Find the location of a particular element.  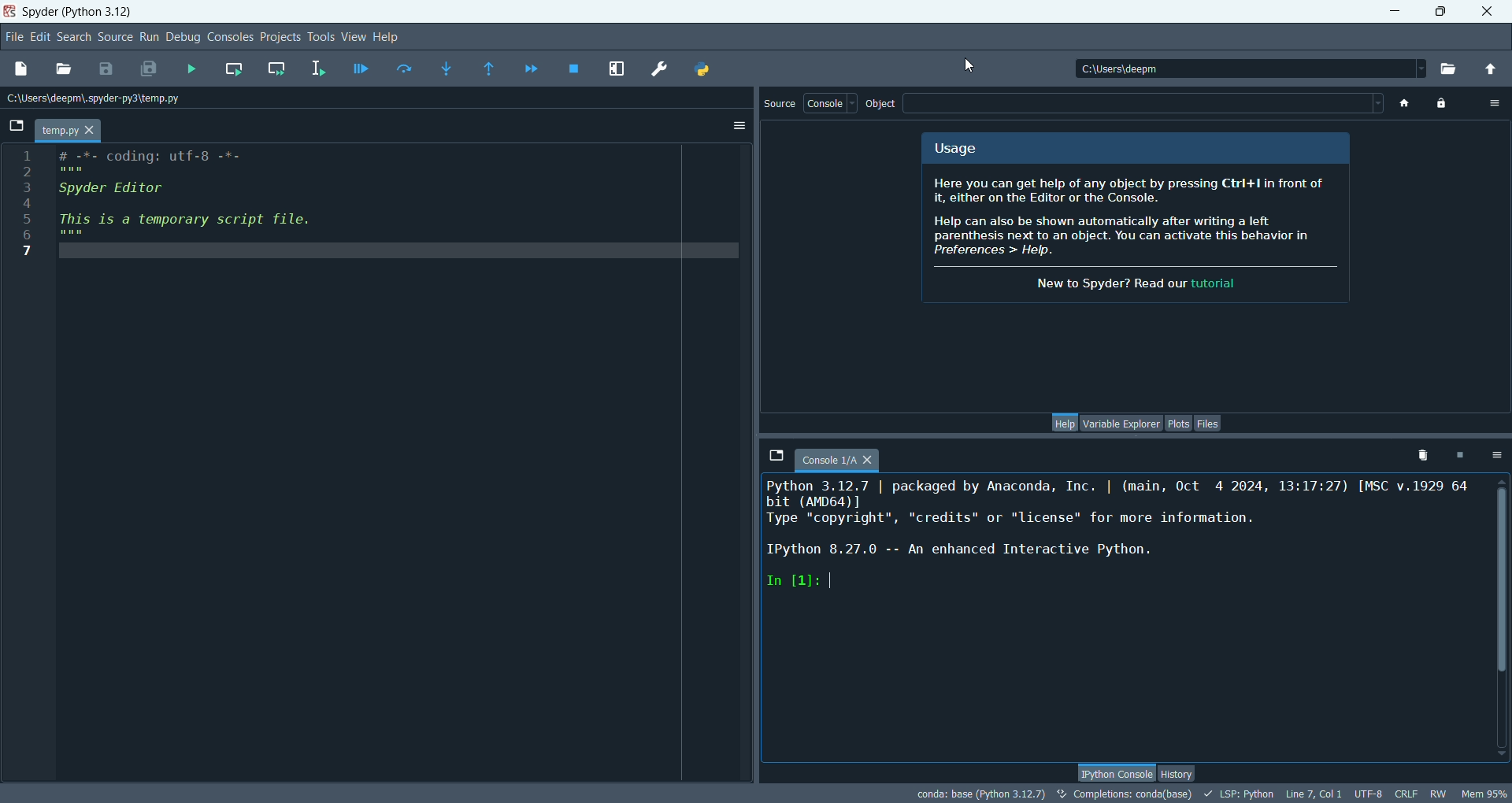

save all files is located at coordinates (150, 68).